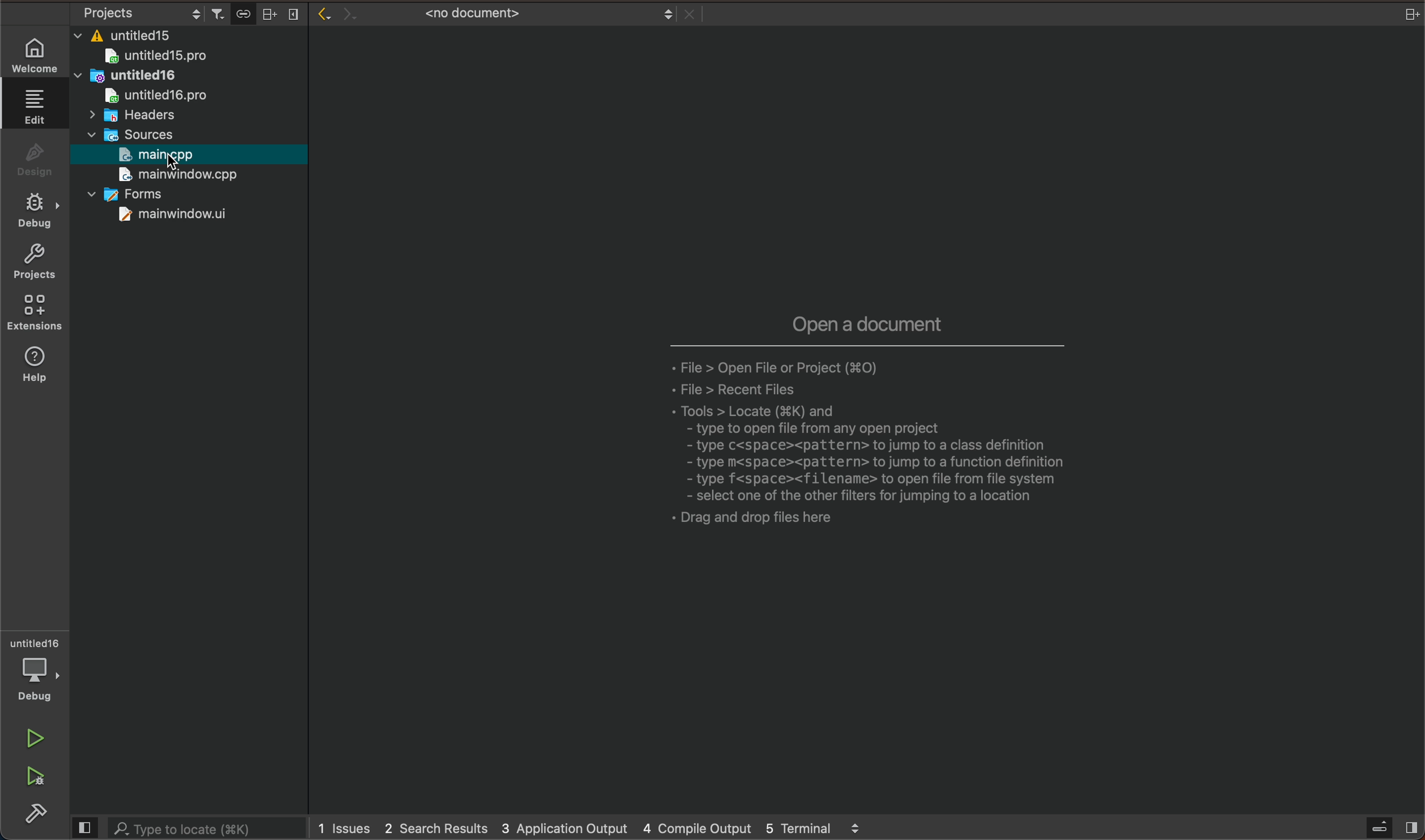 The height and width of the screenshot is (840, 1425). I want to click on 5 terminal, so click(829, 828).